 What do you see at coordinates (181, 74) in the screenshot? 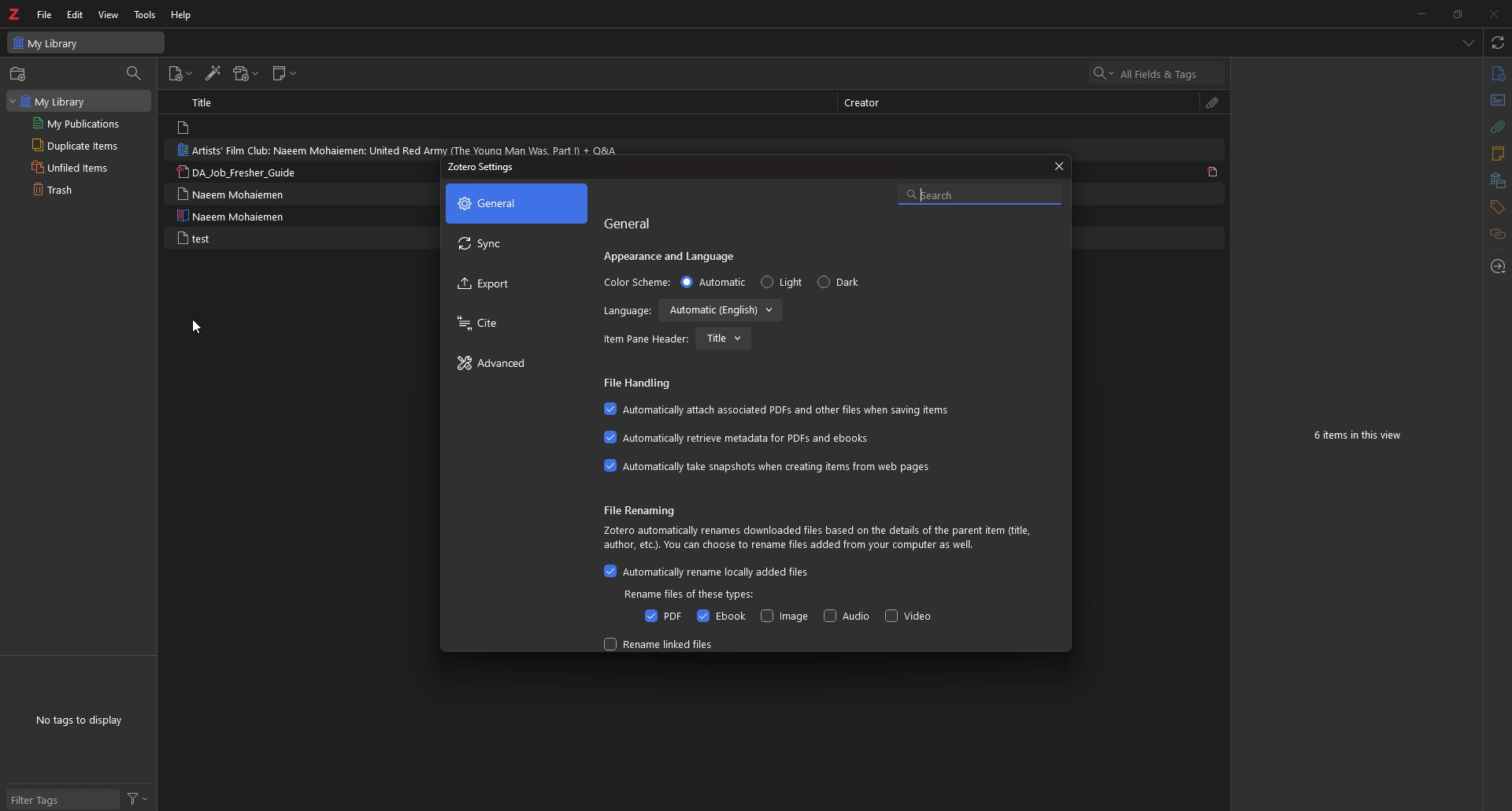
I see `new item` at bounding box center [181, 74].